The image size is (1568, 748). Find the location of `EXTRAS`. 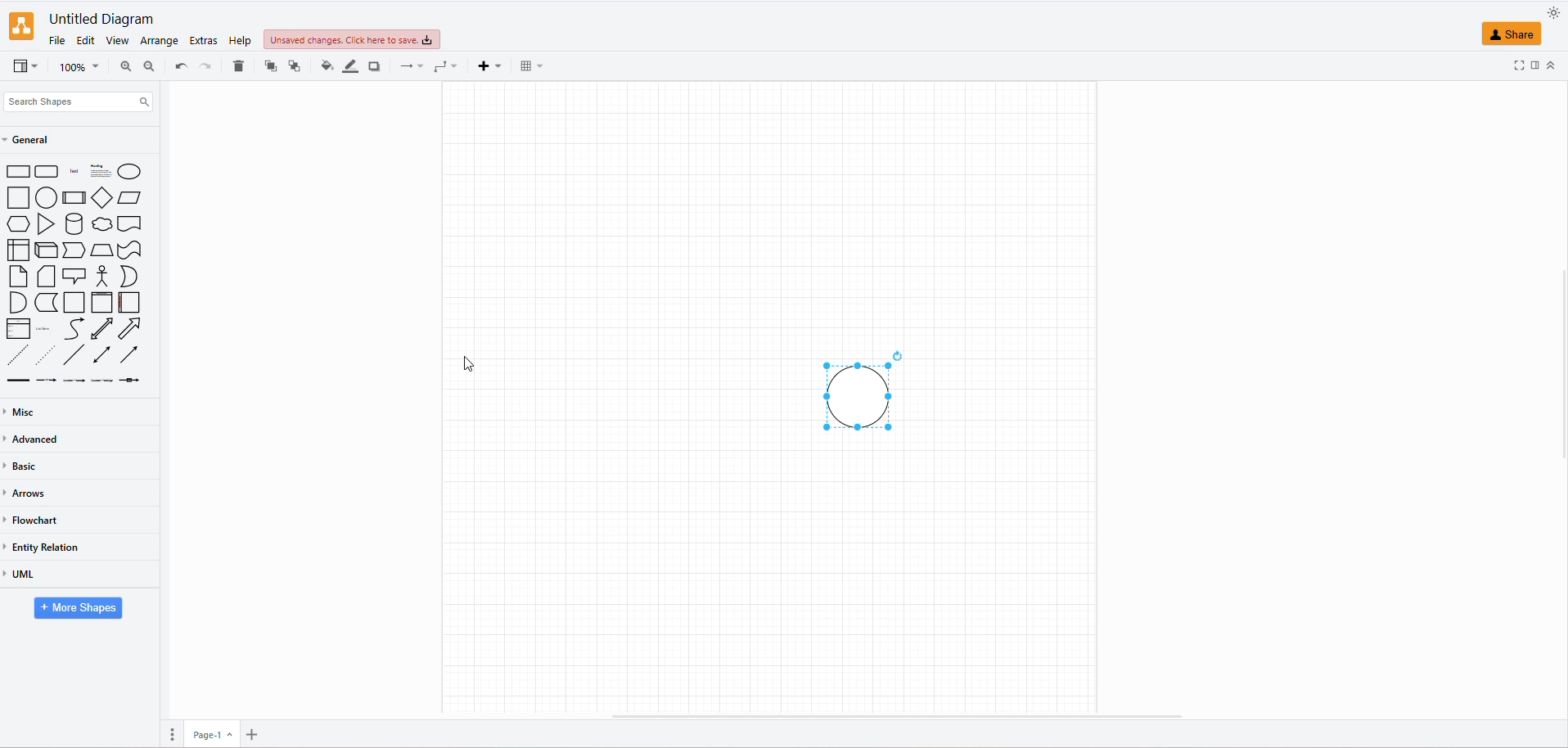

EXTRAS is located at coordinates (202, 41).